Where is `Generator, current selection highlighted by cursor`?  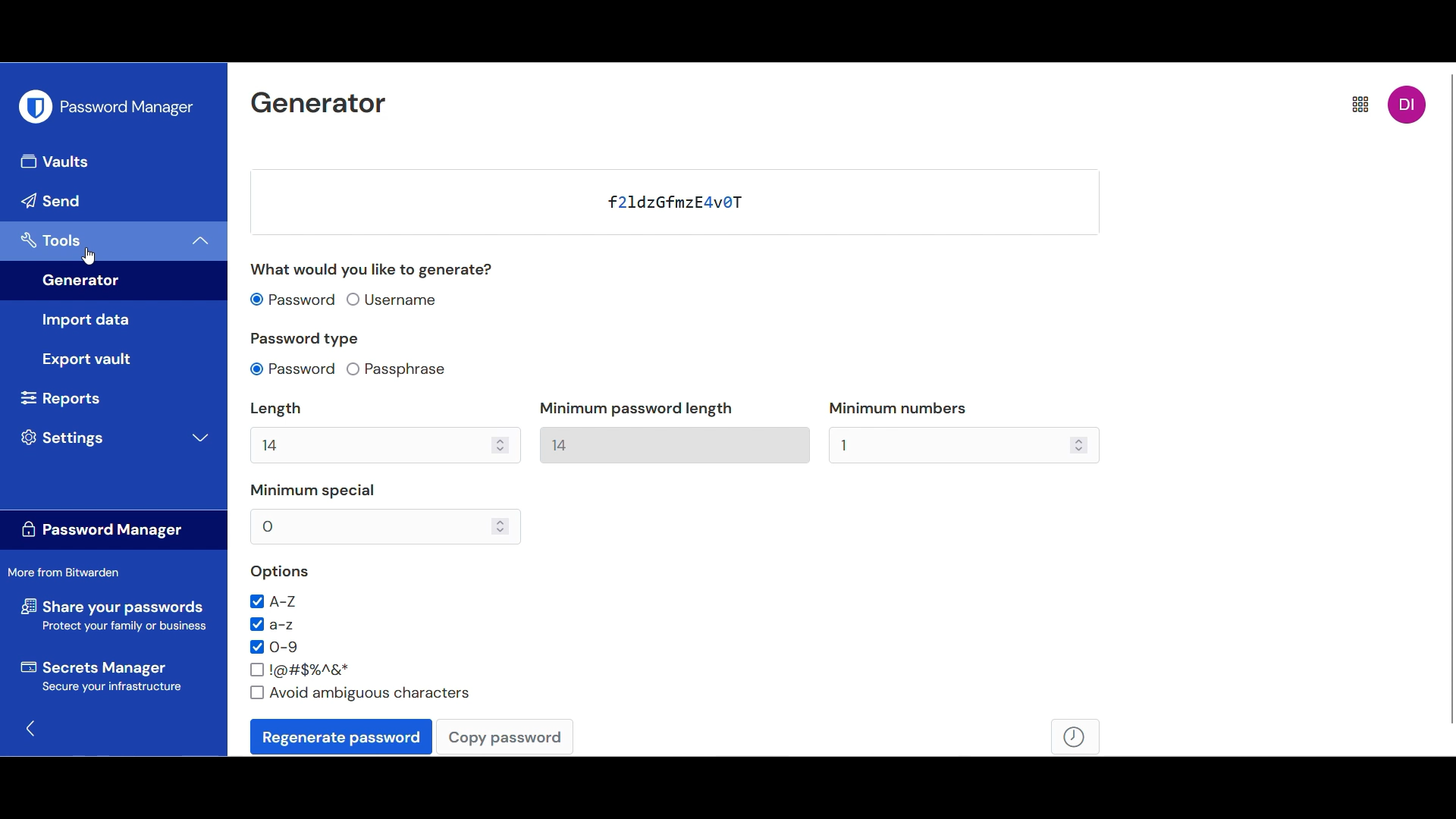 Generator, current selection highlighted by cursor is located at coordinates (115, 284).